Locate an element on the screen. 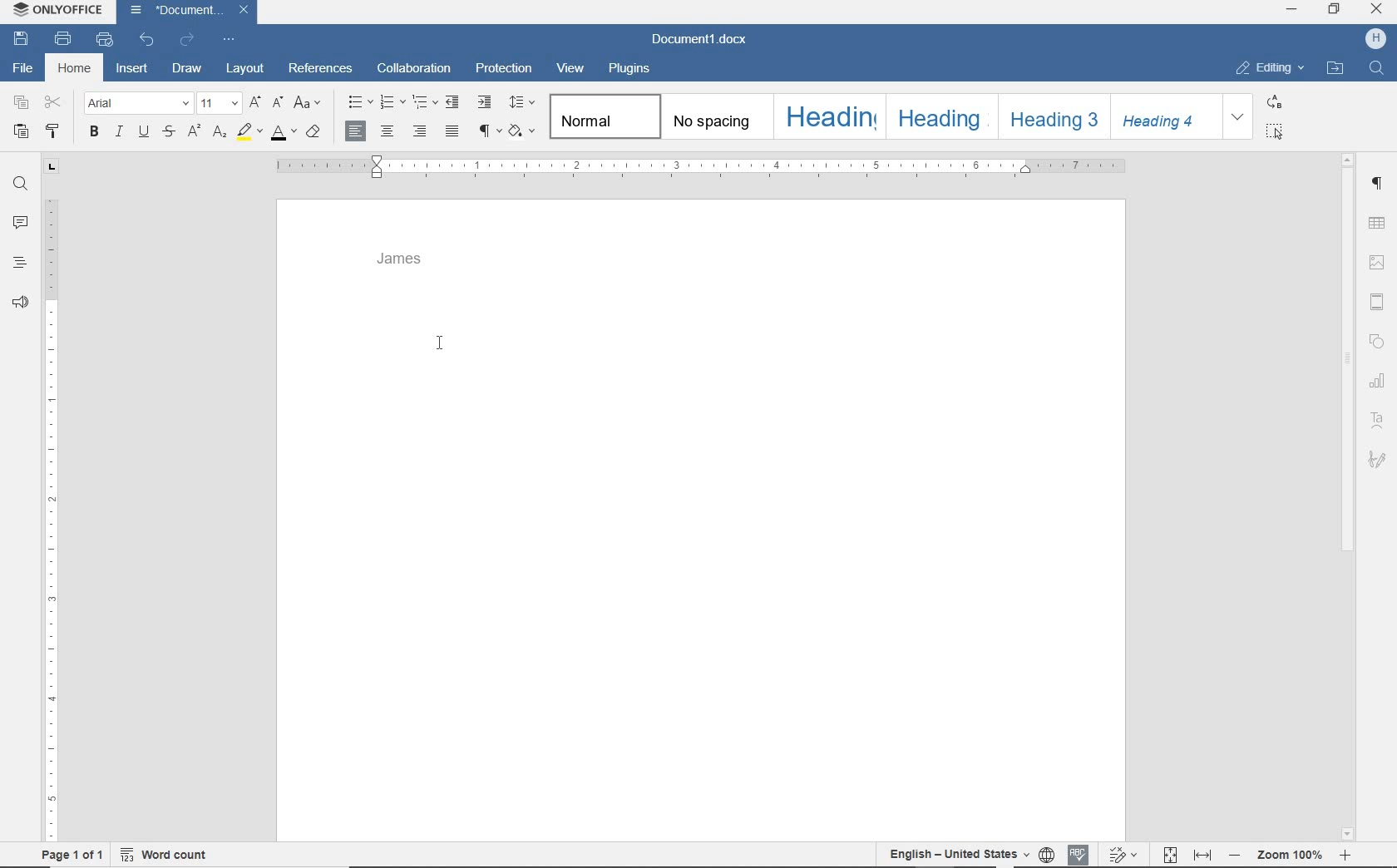 The height and width of the screenshot is (868, 1397). plugins is located at coordinates (633, 67).